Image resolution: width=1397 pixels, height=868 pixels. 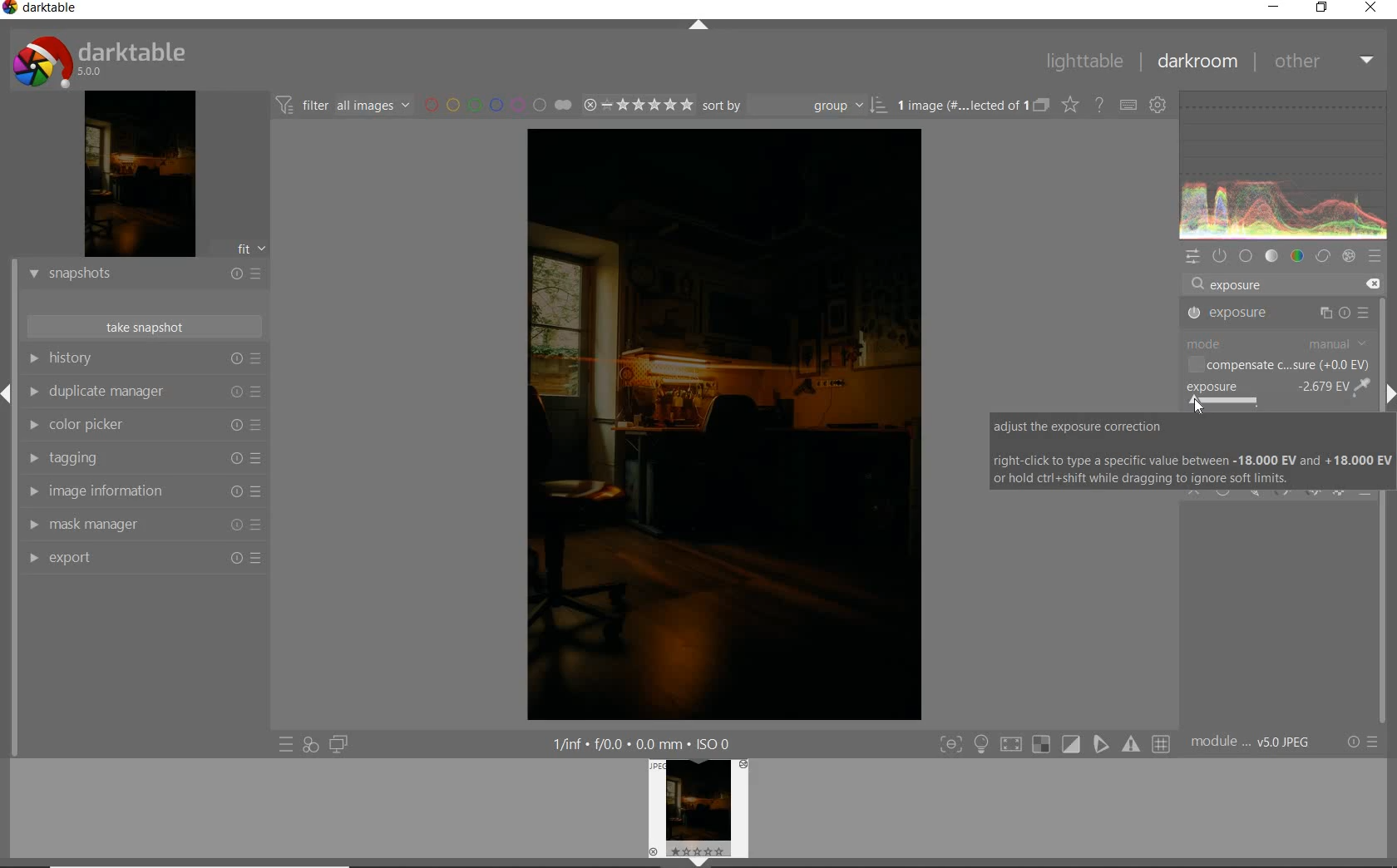 I want to click on export, so click(x=142, y=560).